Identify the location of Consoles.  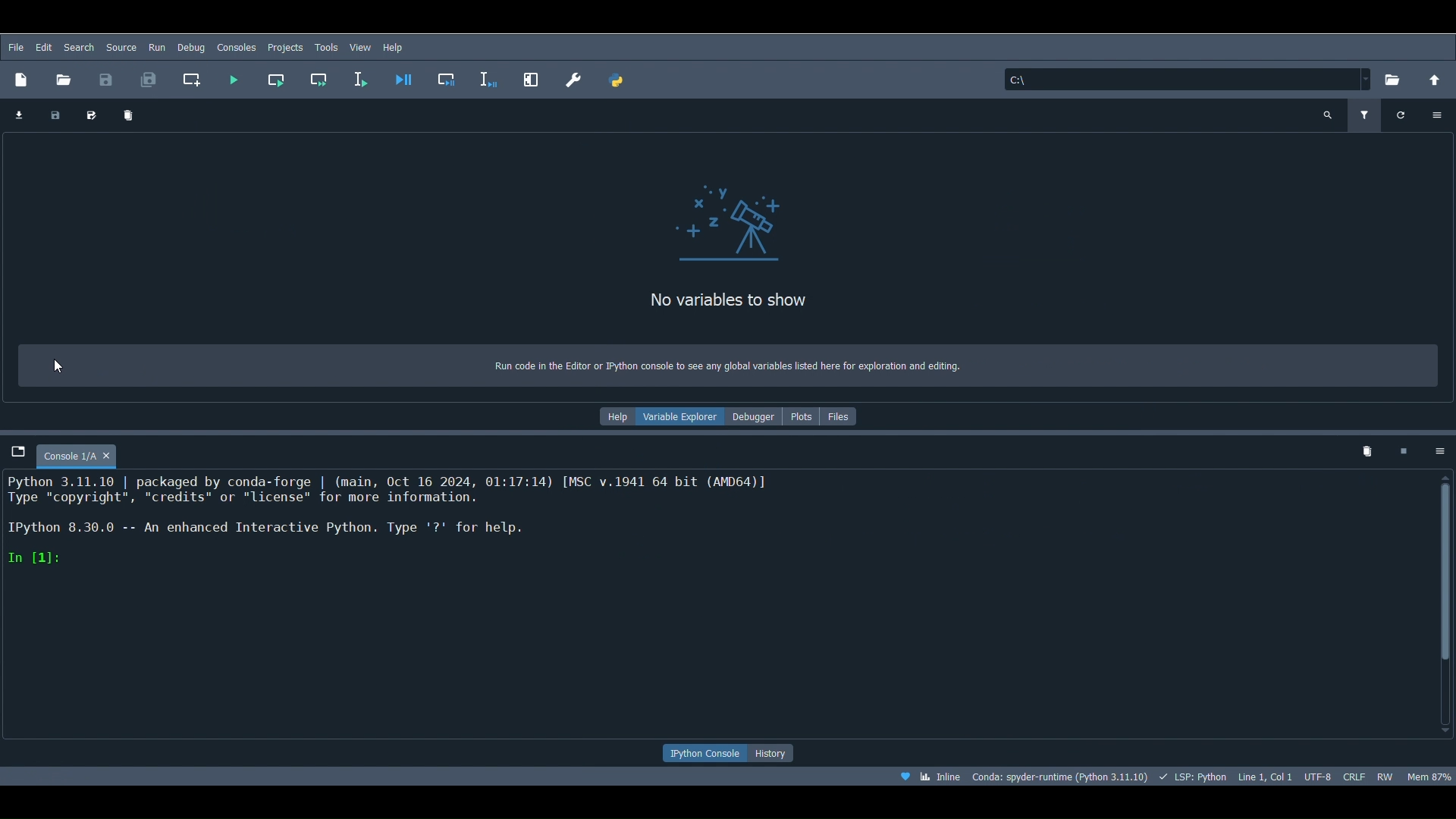
(237, 47).